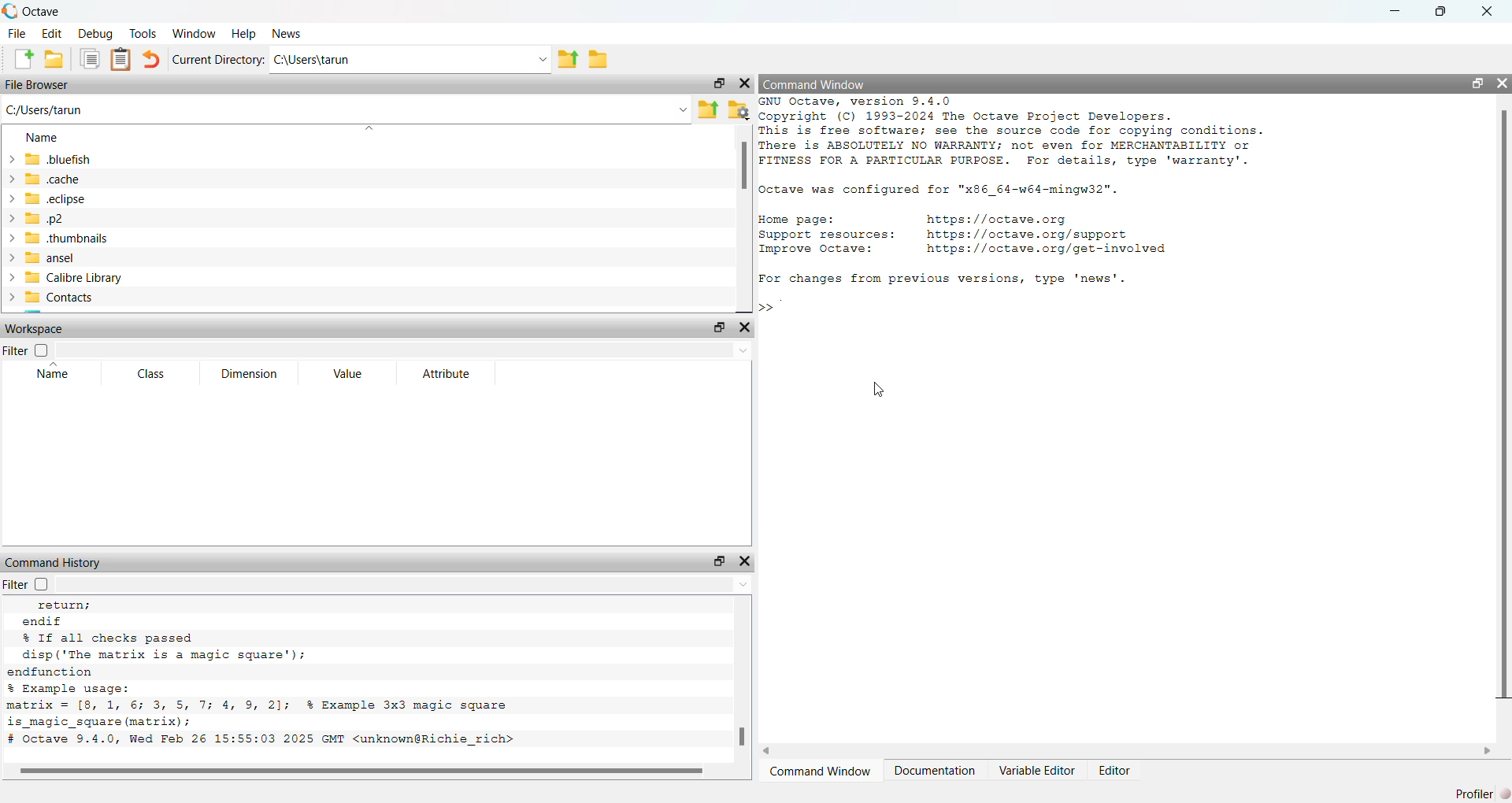  Describe the element at coordinates (741, 736) in the screenshot. I see `scroll bar` at that location.